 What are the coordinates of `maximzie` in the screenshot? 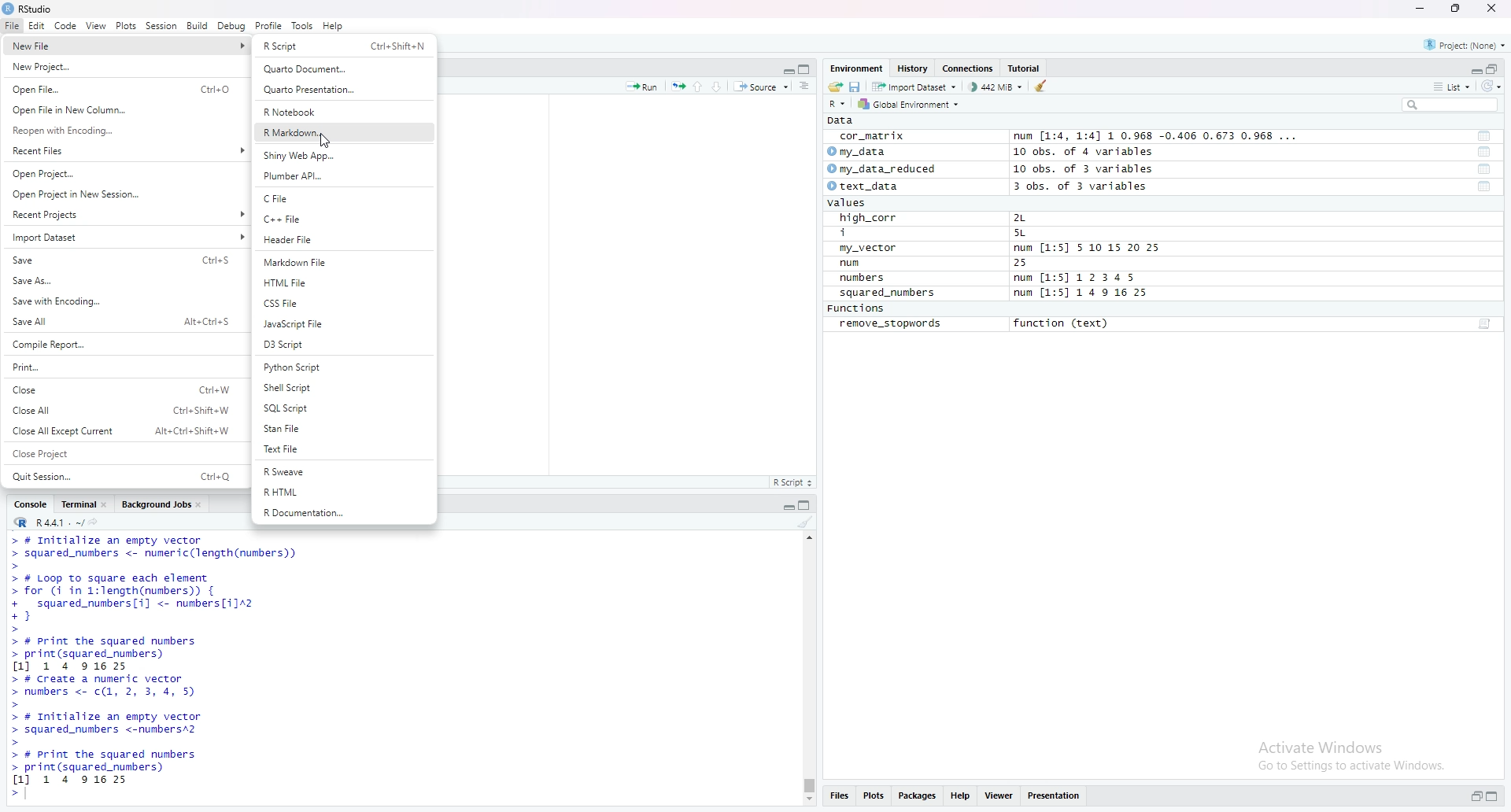 It's located at (1496, 67).